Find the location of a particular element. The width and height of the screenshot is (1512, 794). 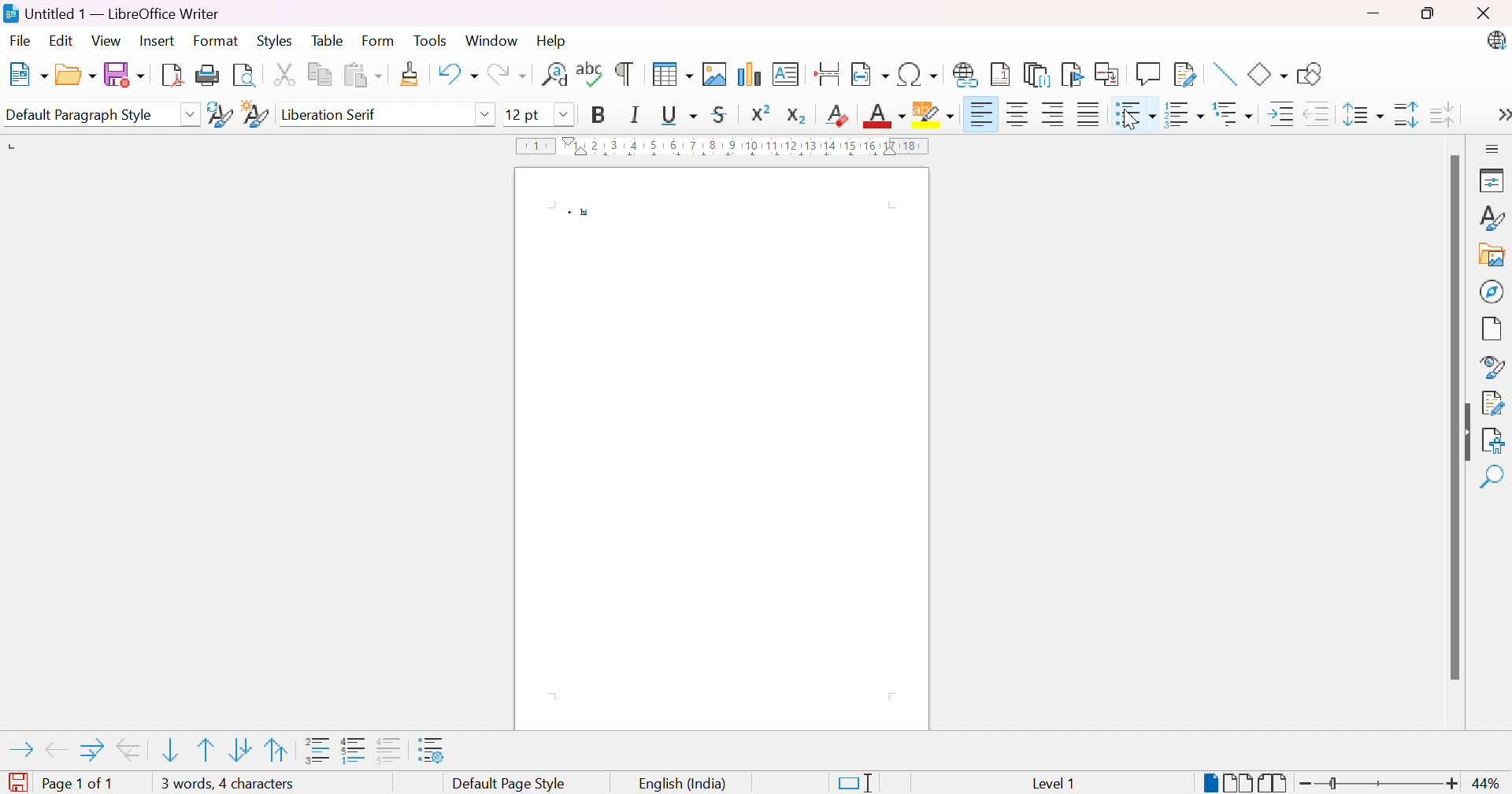

Untitled 1 - LibreOffice Writer is located at coordinates (112, 12).